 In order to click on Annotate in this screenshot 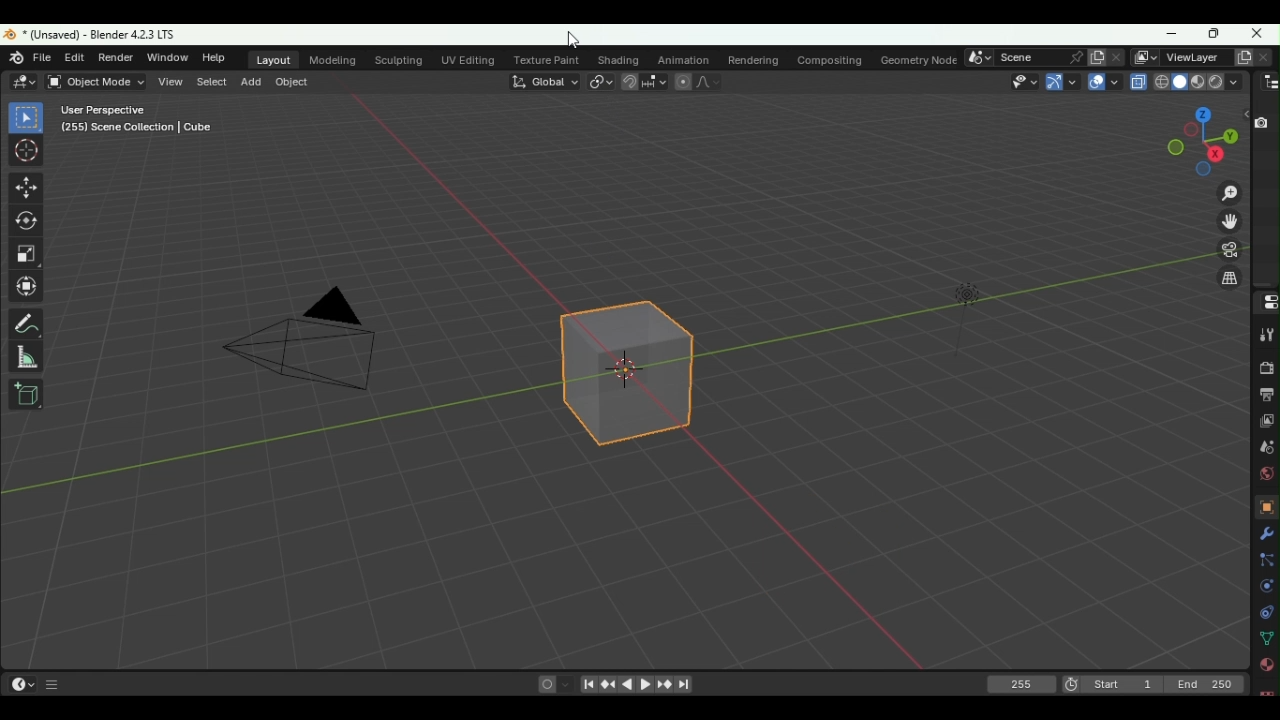, I will do `click(30, 323)`.